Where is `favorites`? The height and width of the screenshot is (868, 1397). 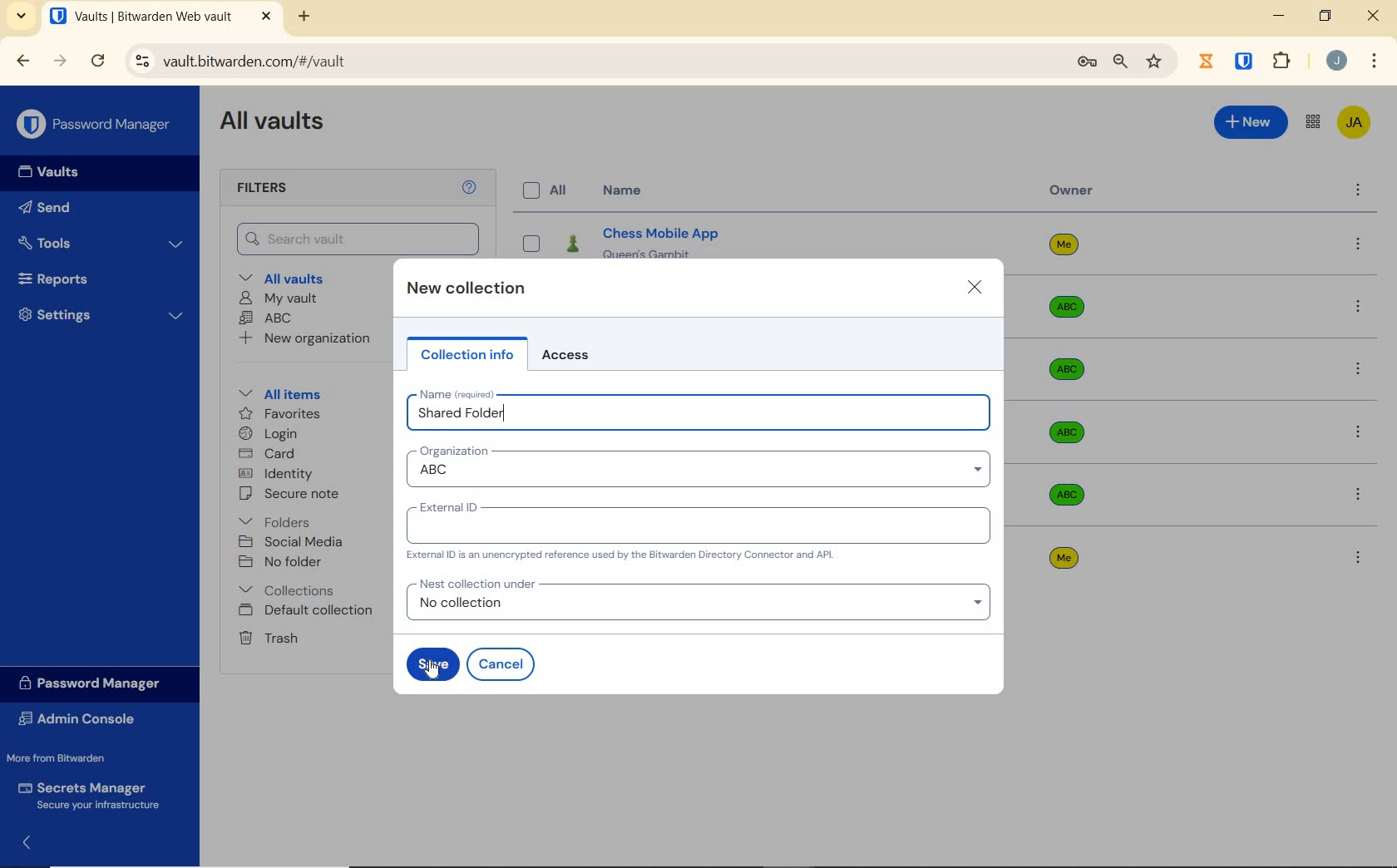 favorites is located at coordinates (286, 414).